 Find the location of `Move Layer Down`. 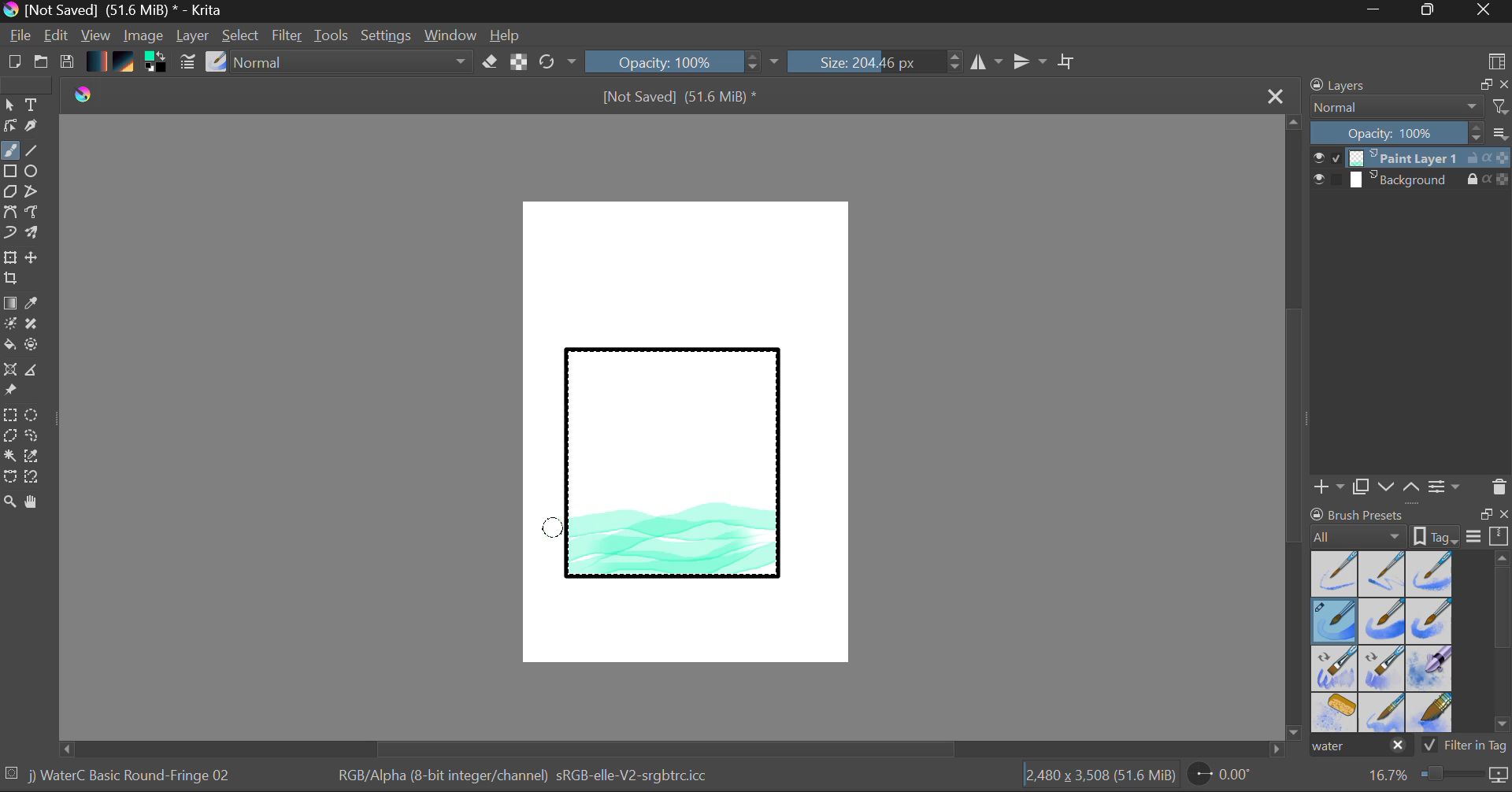

Move Layer Down is located at coordinates (1388, 487).